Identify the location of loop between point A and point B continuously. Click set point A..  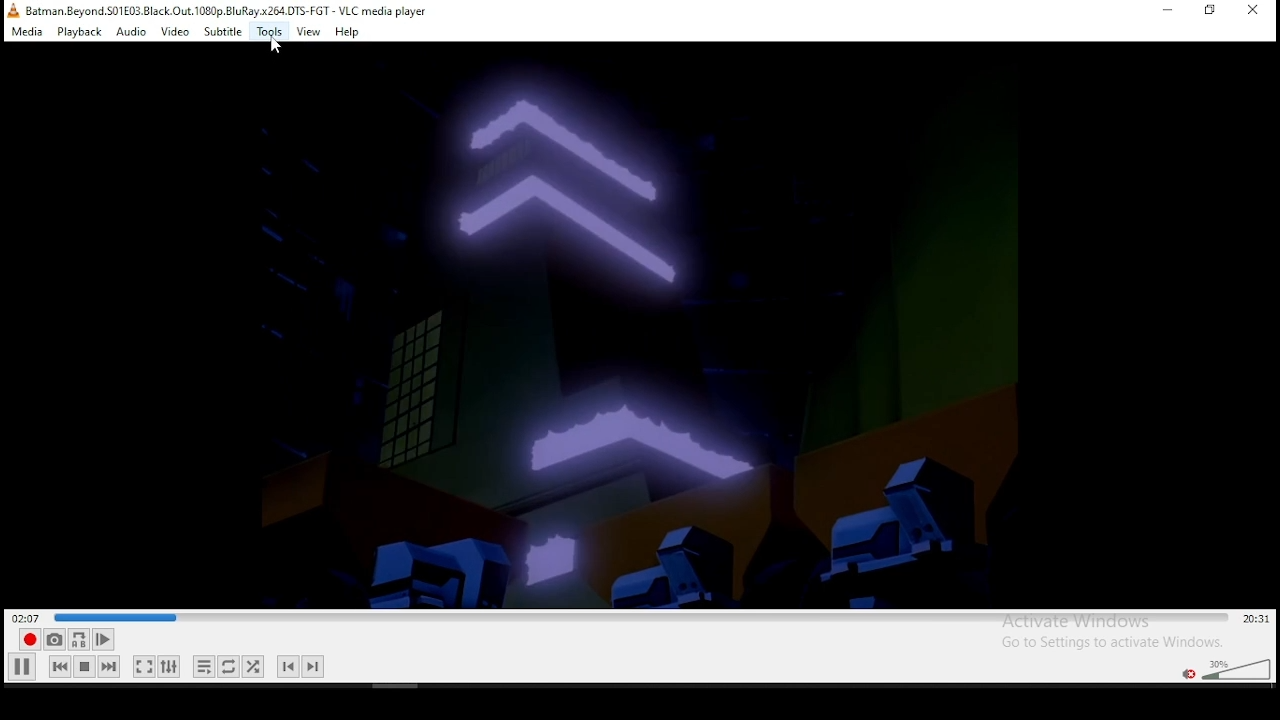
(78, 640).